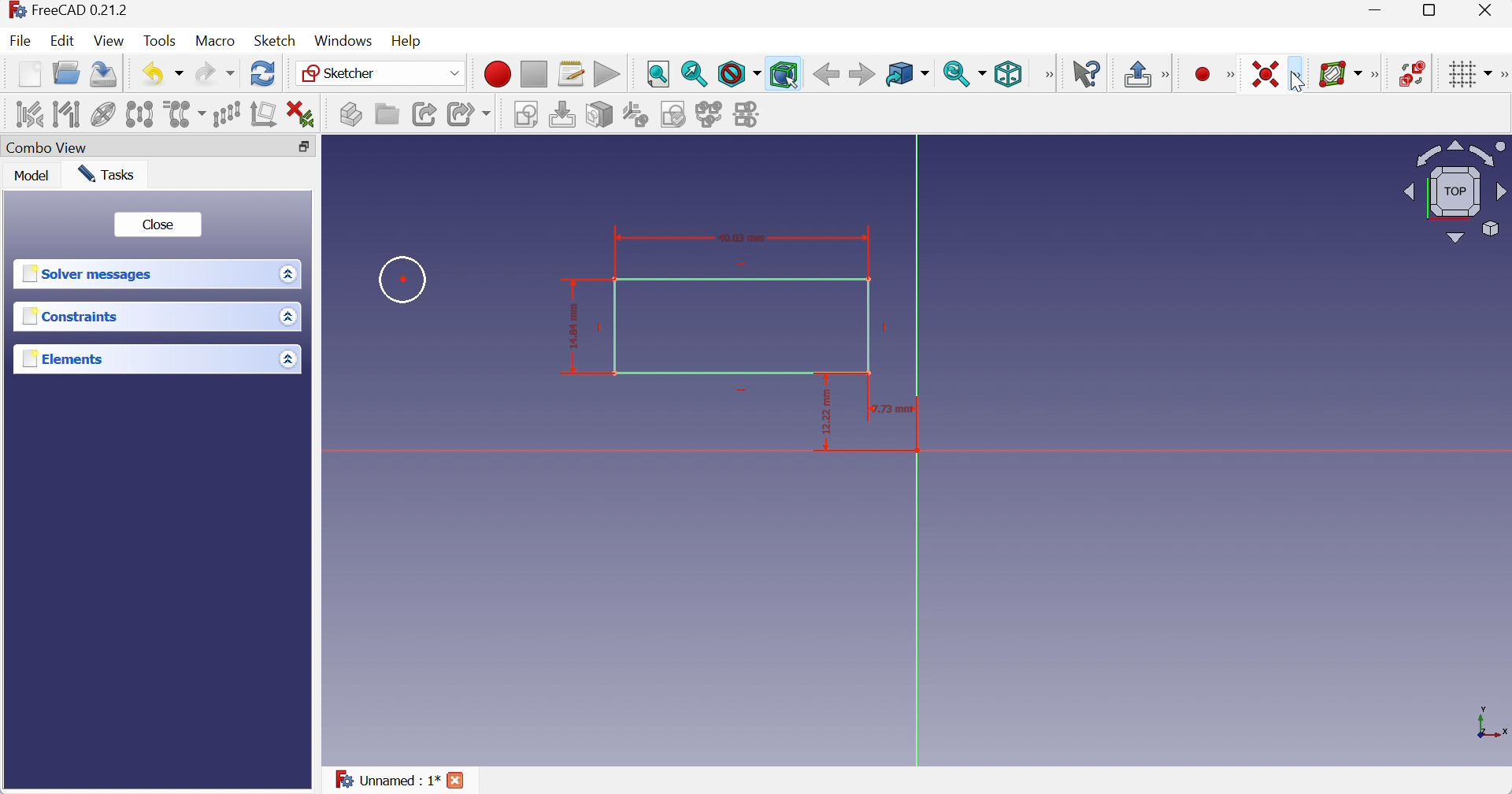 Image resolution: width=1512 pixels, height=794 pixels. Describe the element at coordinates (161, 41) in the screenshot. I see `Tools` at that location.